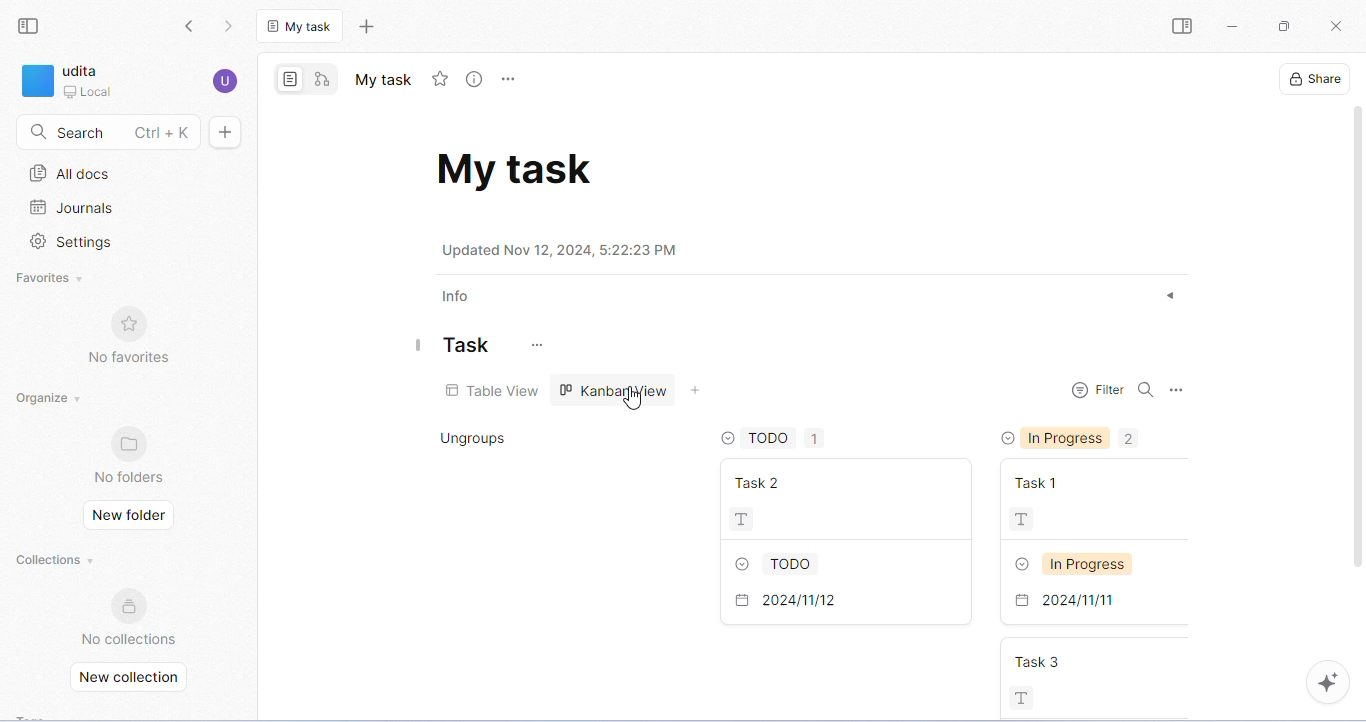 The height and width of the screenshot is (722, 1366). Describe the element at coordinates (72, 208) in the screenshot. I see `journals` at that location.